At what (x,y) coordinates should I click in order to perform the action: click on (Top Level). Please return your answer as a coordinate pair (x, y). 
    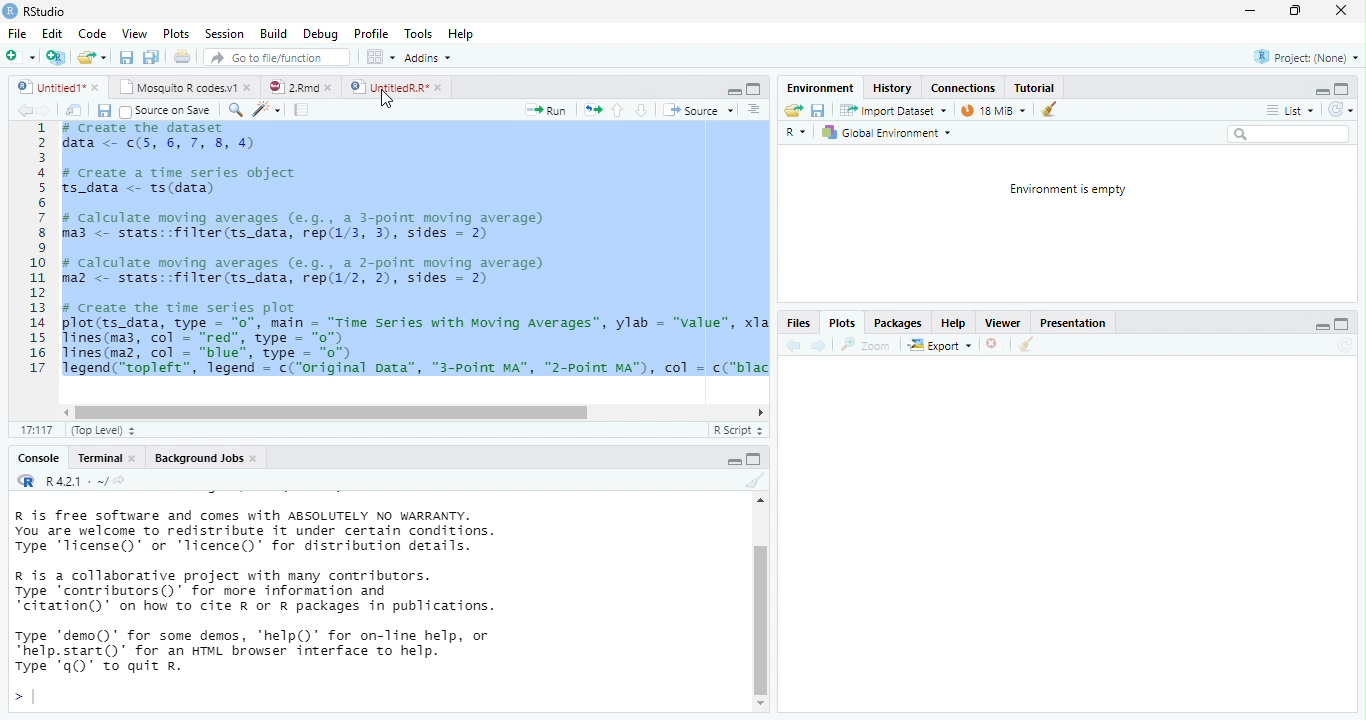
    Looking at the image, I should click on (98, 431).